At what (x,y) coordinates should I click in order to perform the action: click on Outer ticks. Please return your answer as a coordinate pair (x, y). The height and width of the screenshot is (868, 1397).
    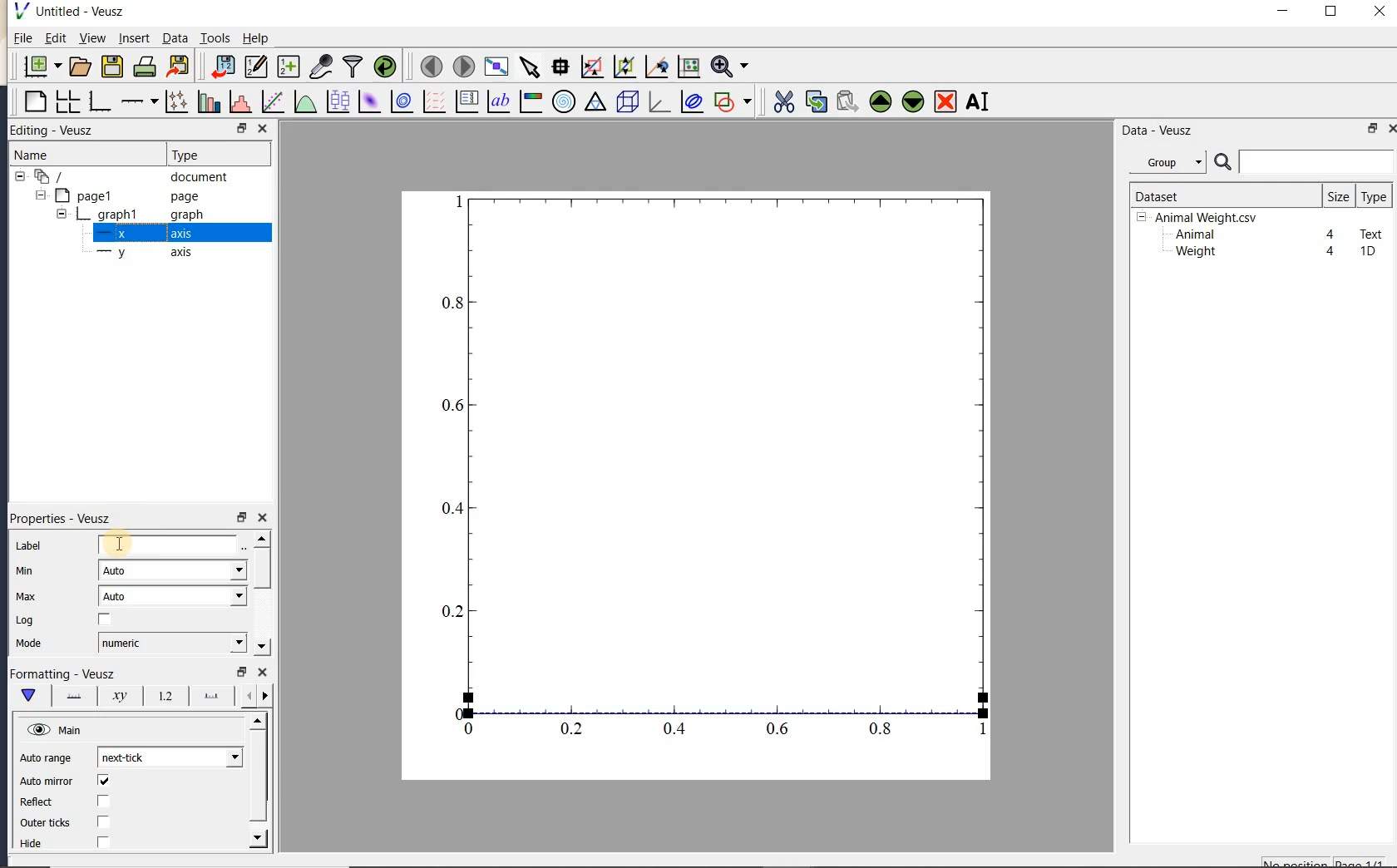
    Looking at the image, I should click on (47, 822).